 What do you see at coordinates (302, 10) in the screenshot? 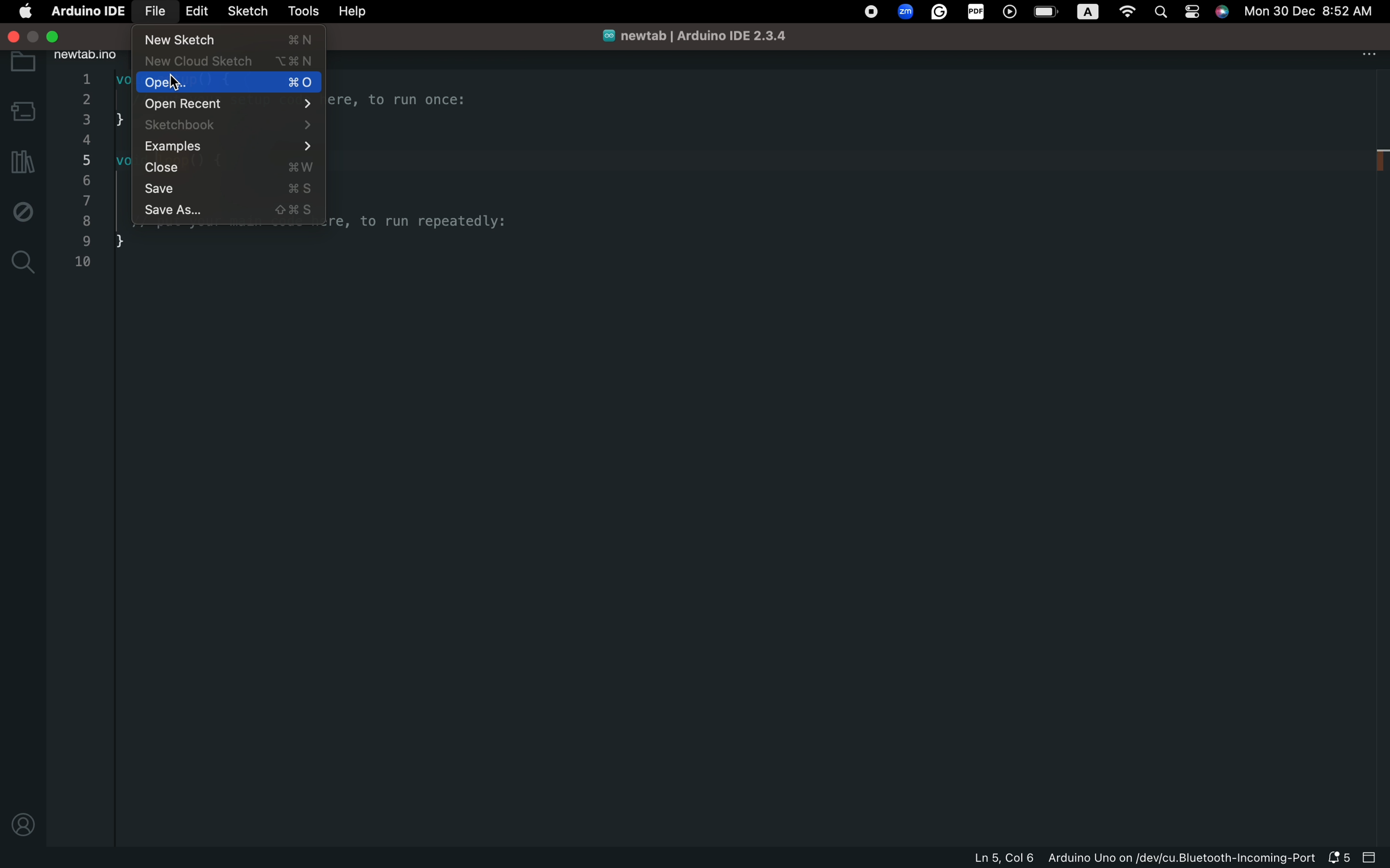
I see `tools` at bounding box center [302, 10].